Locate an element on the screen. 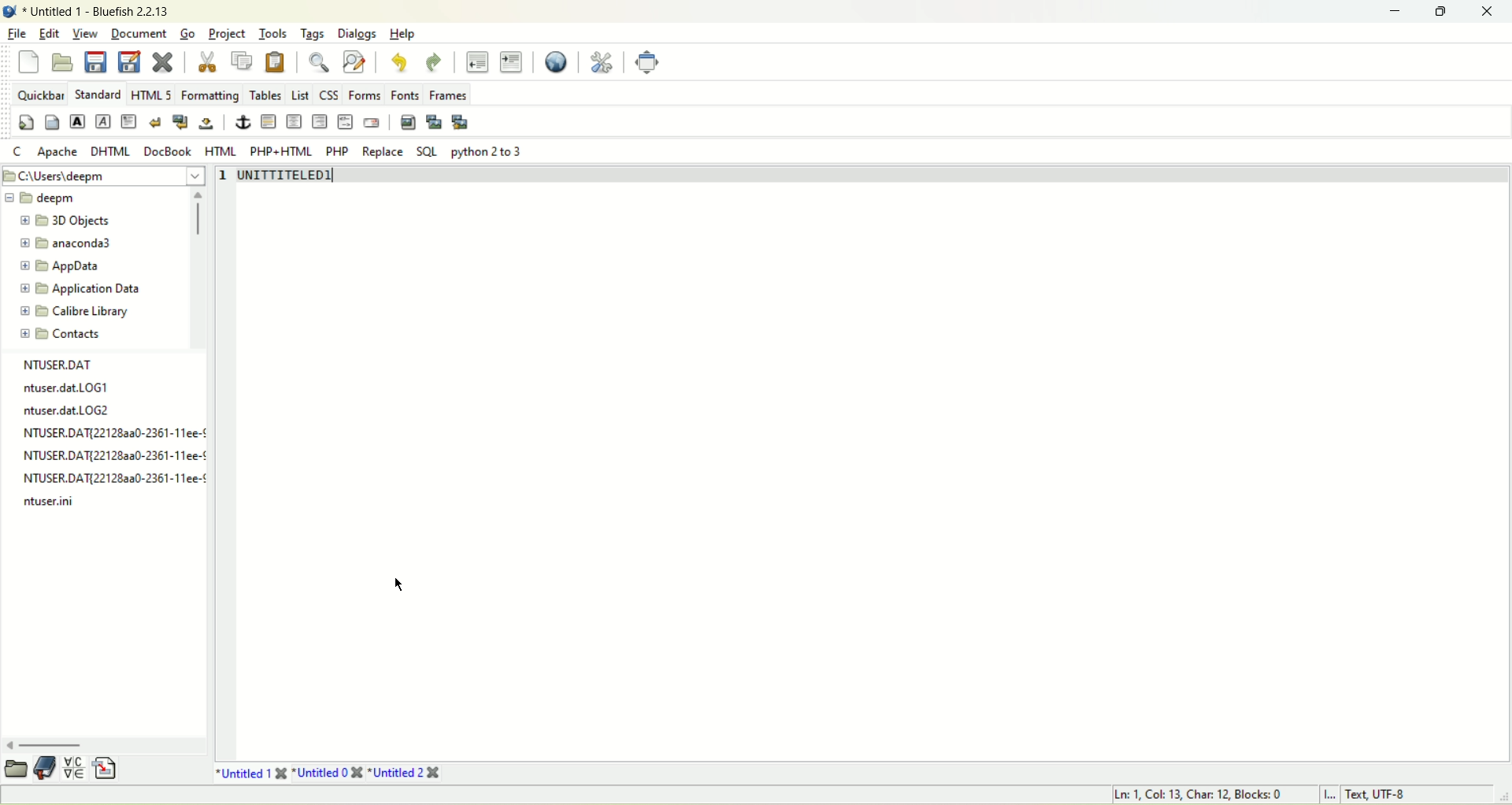 This screenshot has height=805, width=1512. PHP is located at coordinates (335, 150).